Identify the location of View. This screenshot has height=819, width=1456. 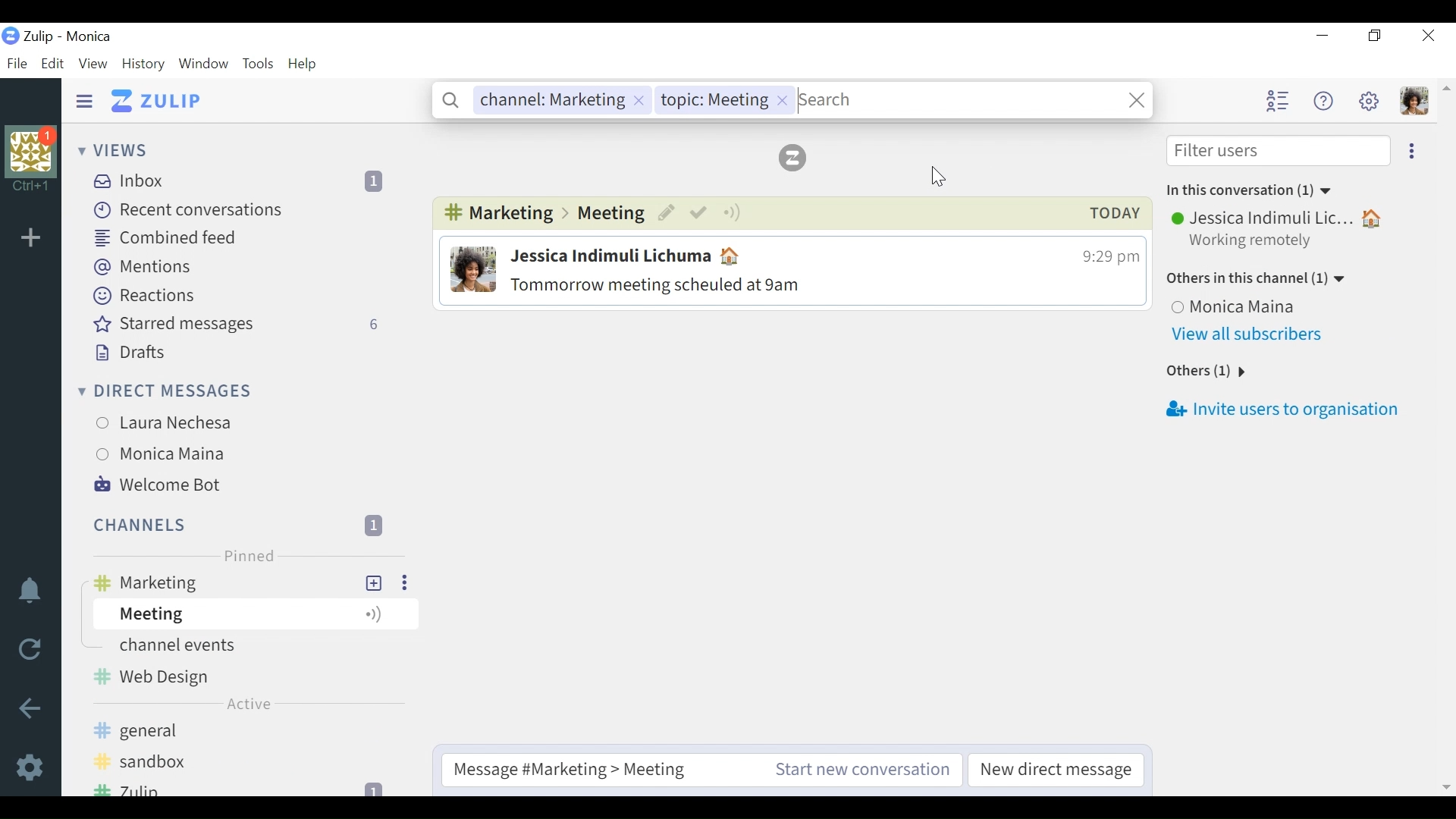
(94, 65).